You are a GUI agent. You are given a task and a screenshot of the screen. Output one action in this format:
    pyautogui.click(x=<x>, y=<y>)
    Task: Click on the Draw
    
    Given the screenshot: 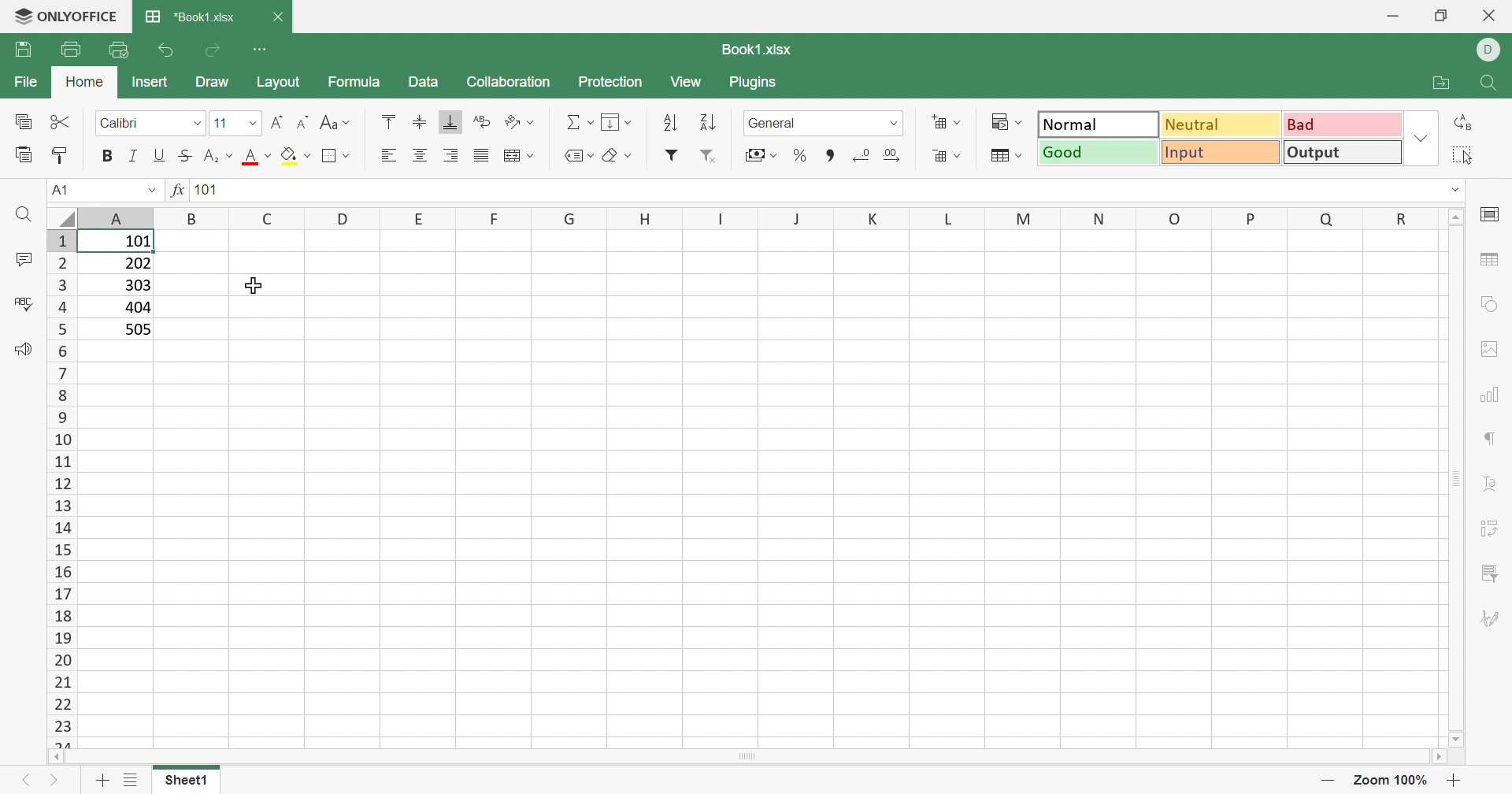 What is the action you would take?
    pyautogui.click(x=214, y=84)
    